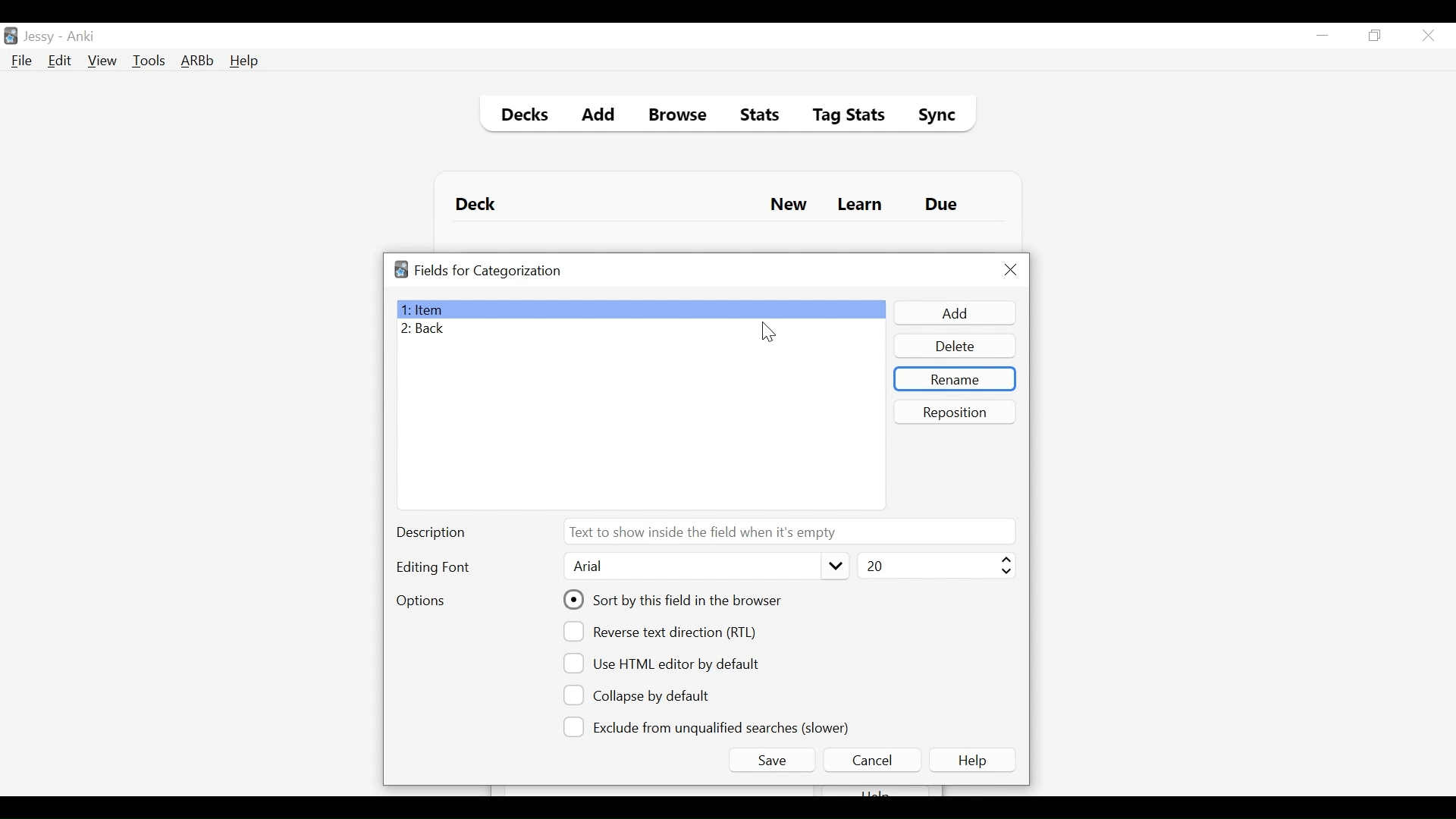 The height and width of the screenshot is (819, 1456). What do you see at coordinates (42, 37) in the screenshot?
I see `User Nmae` at bounding box center [42, 37].